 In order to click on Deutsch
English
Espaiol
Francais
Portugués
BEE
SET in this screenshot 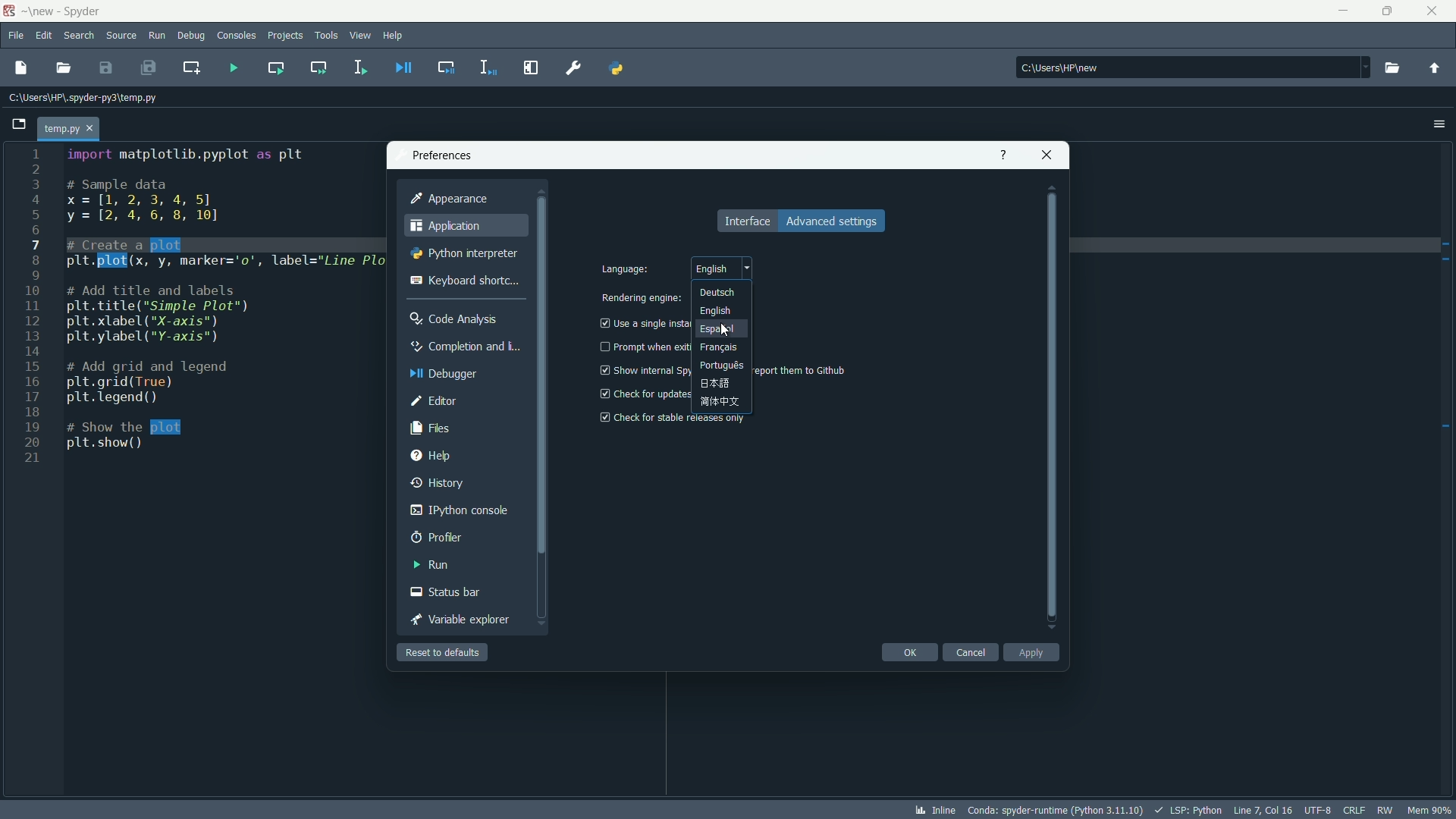, I will do `click(723, 347)`.